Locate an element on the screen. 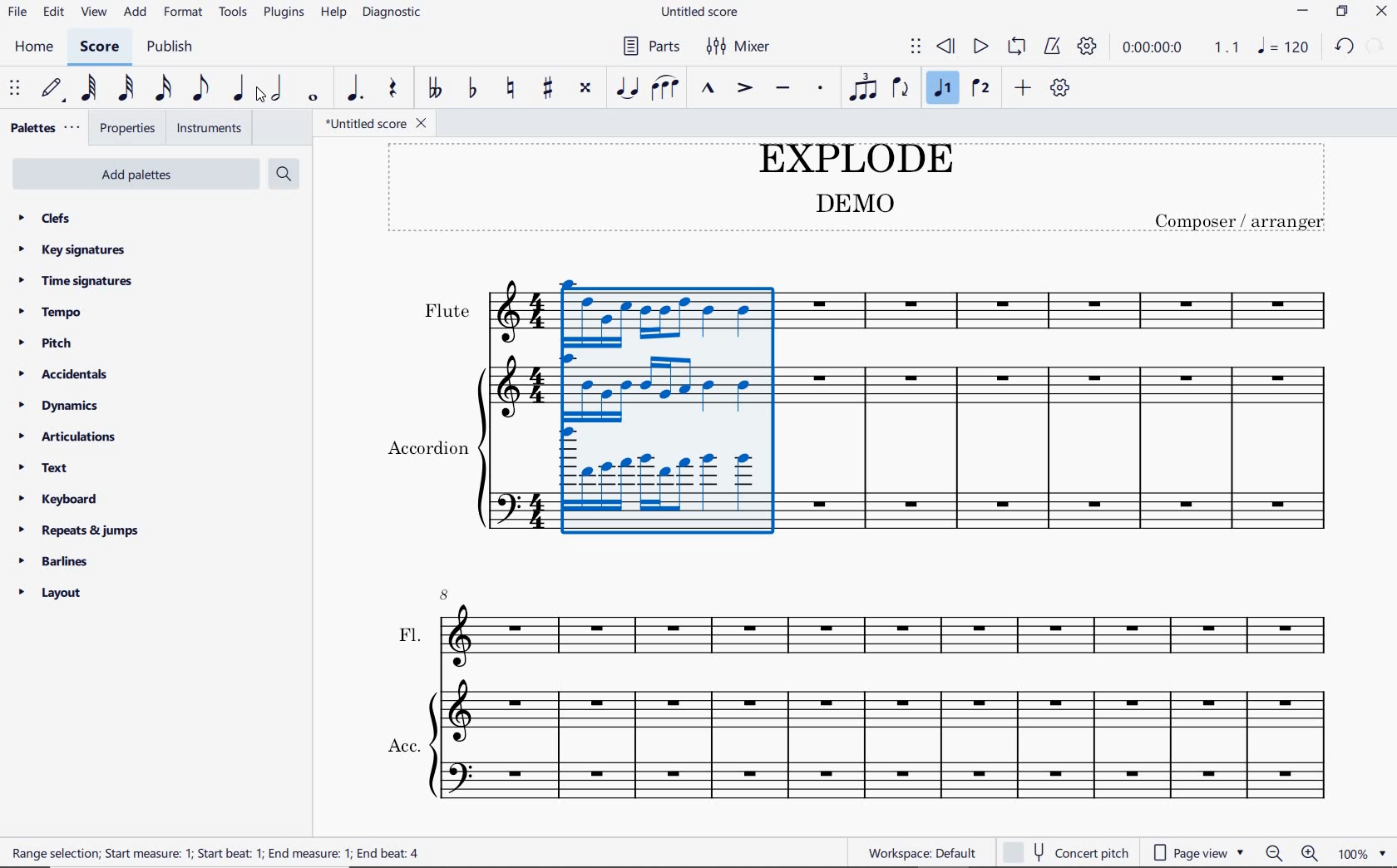  tenuto is located at coordinates (784, 91).